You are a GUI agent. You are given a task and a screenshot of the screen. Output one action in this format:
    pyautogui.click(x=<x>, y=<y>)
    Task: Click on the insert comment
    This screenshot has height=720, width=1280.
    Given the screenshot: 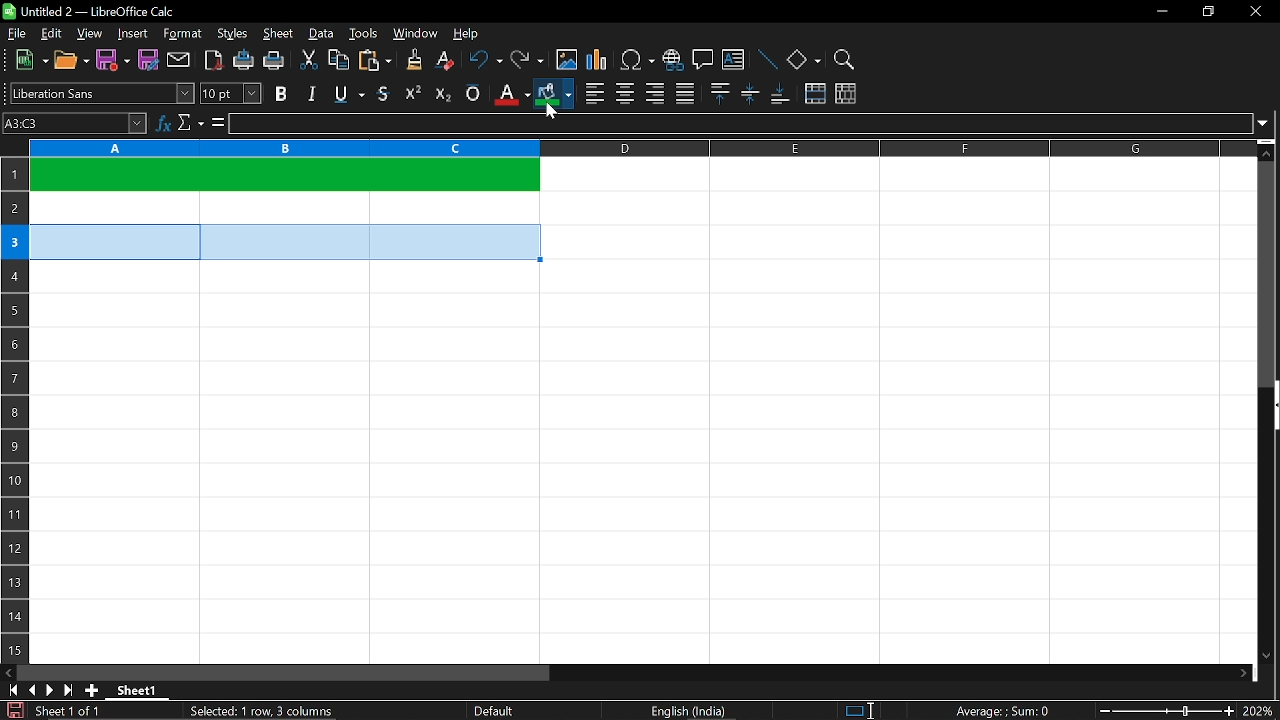 What is the action you would take?
    pyautogui.click(x=702, y=60)
    